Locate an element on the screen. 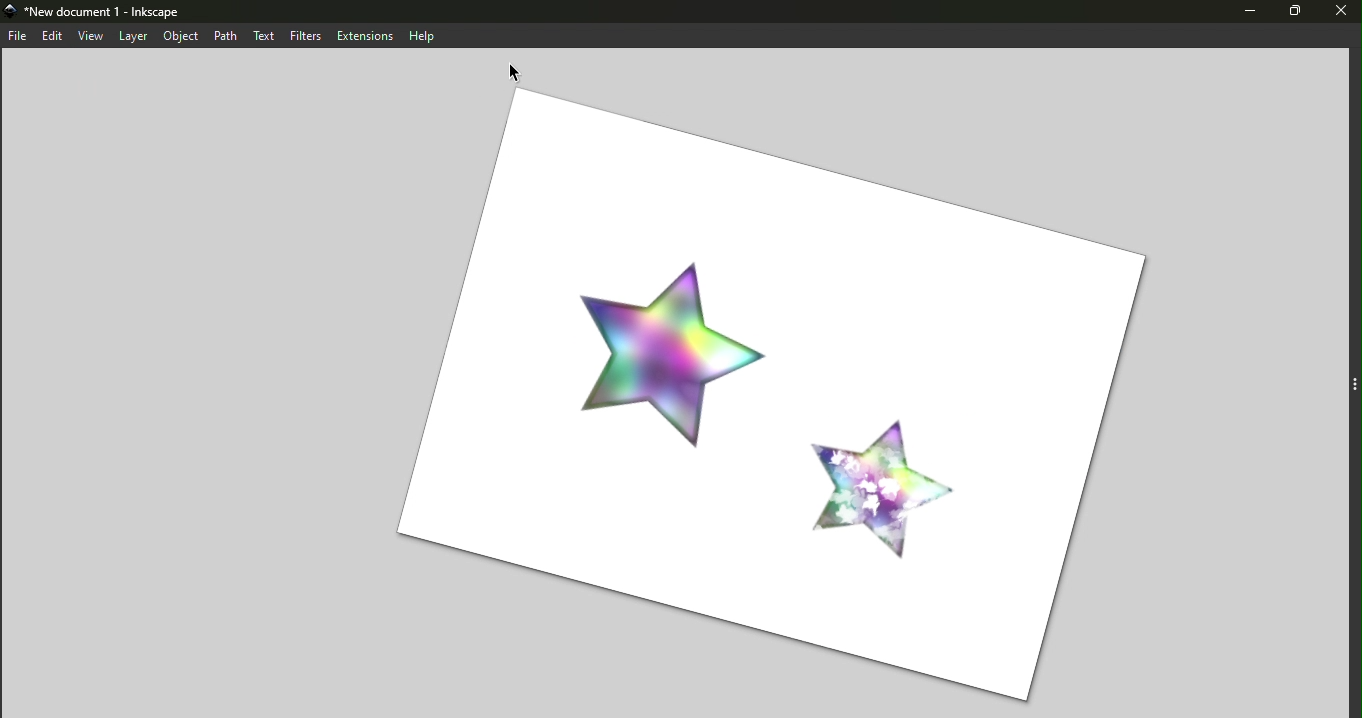 The height and width of the screenshot is (718, 1362). Maximize is located at coordinates (1292, 13).